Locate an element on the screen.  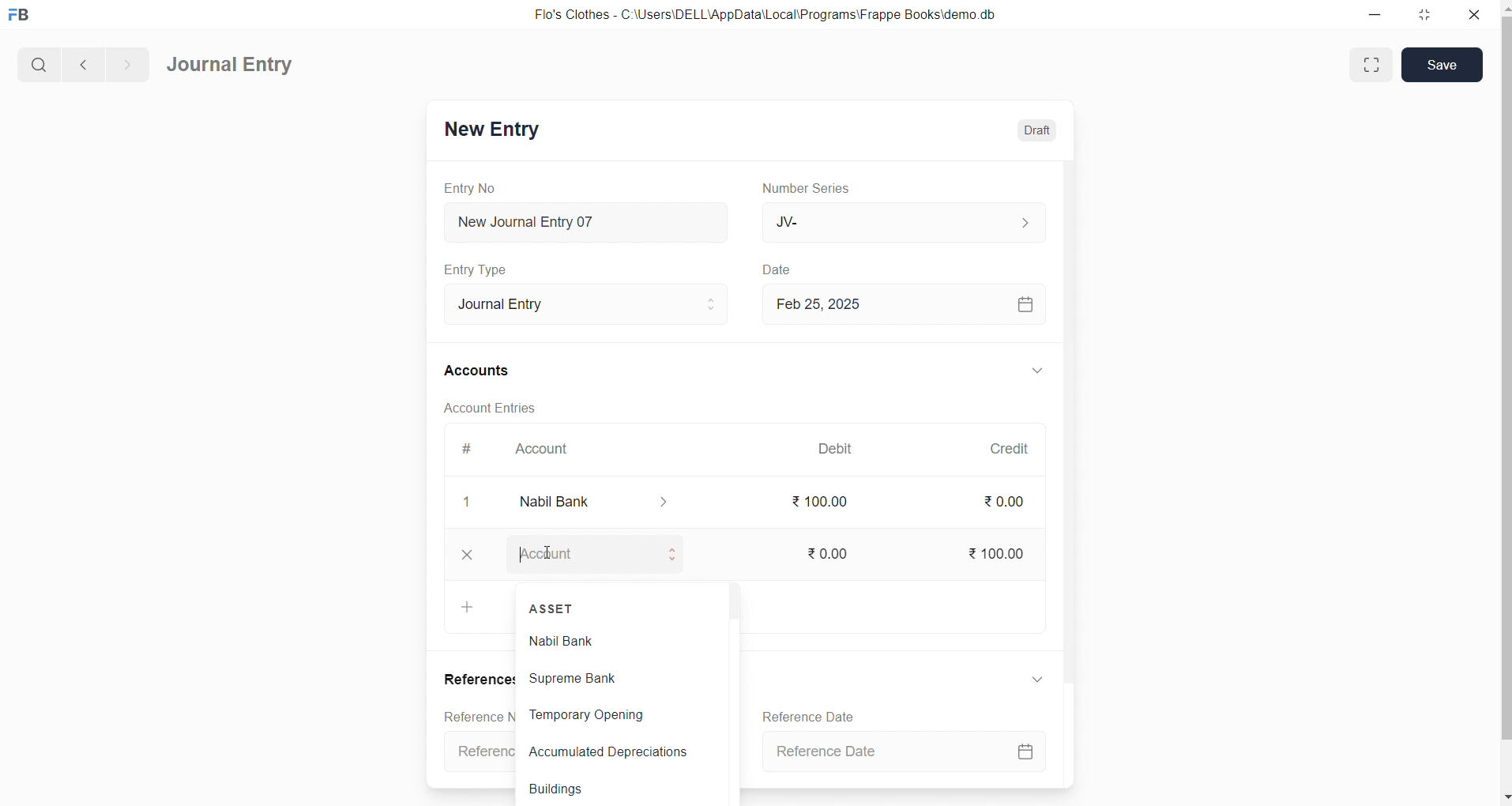
expand/collapse is located at coordinates (1040, 682).